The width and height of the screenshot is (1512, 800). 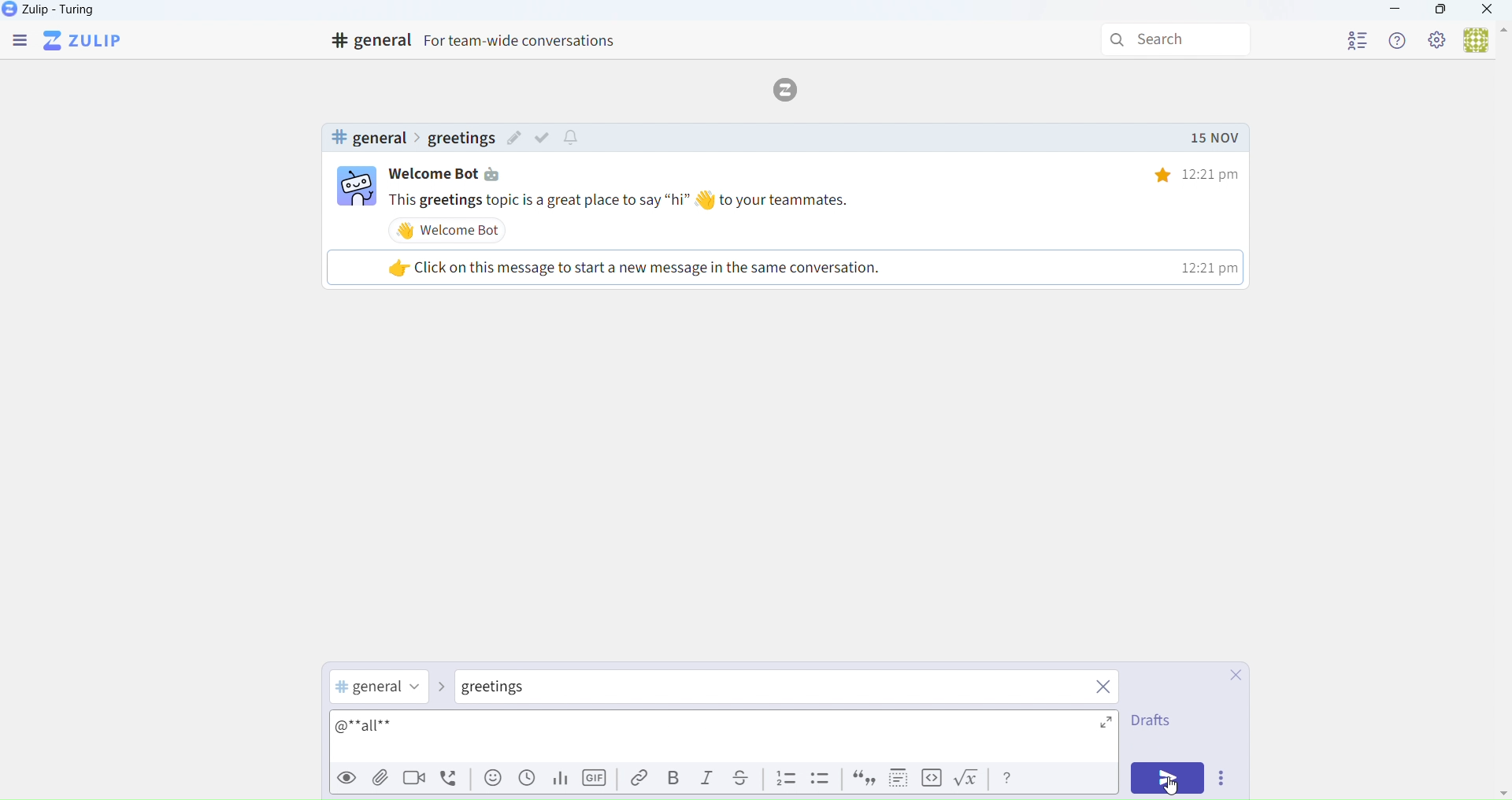 What do you see at coordinates (452, 779) in the screenshot?
I see `Voicecall` at bounding box center [452, 779].